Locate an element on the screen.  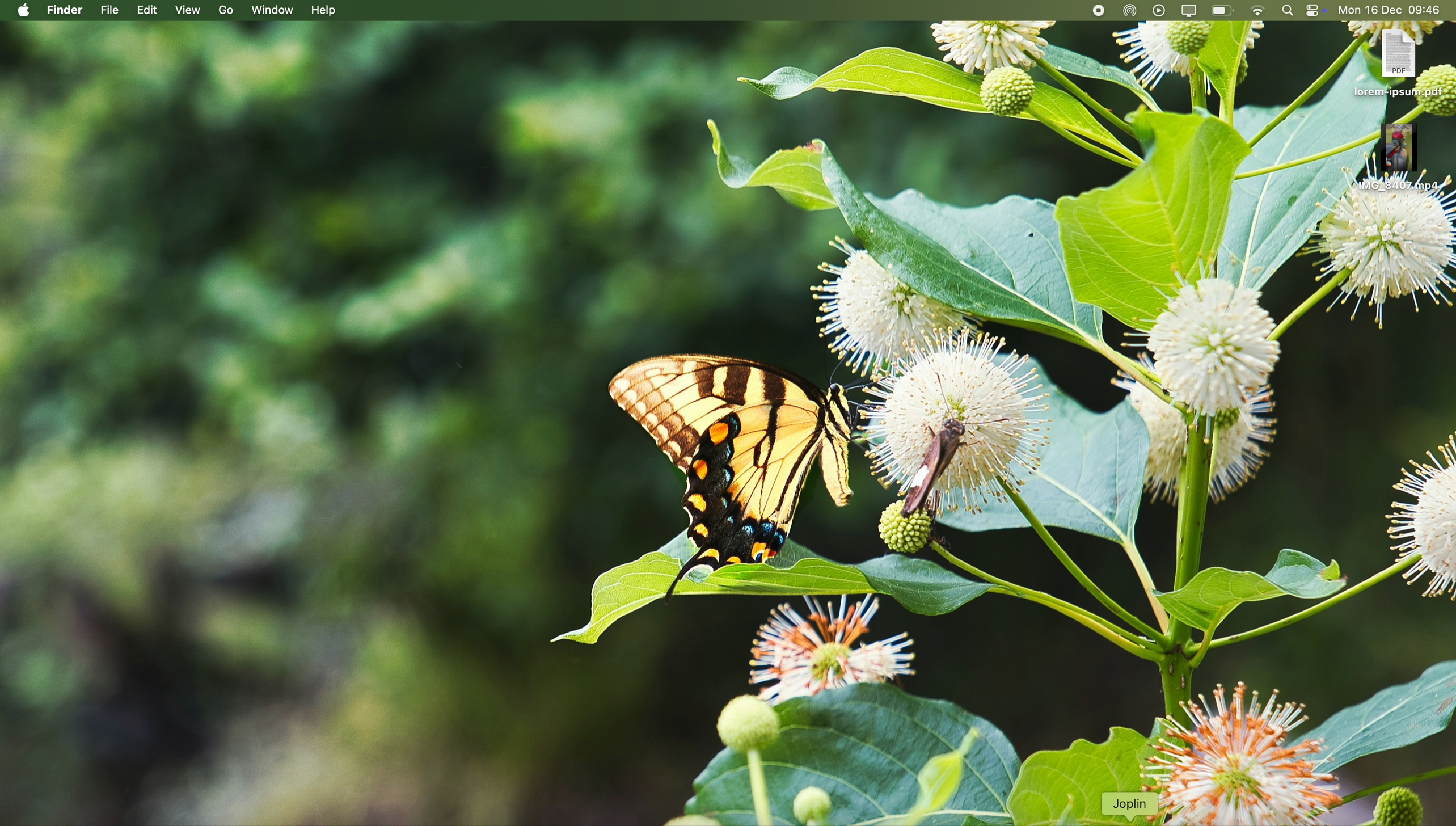
window is located at coordinates (271, 10).